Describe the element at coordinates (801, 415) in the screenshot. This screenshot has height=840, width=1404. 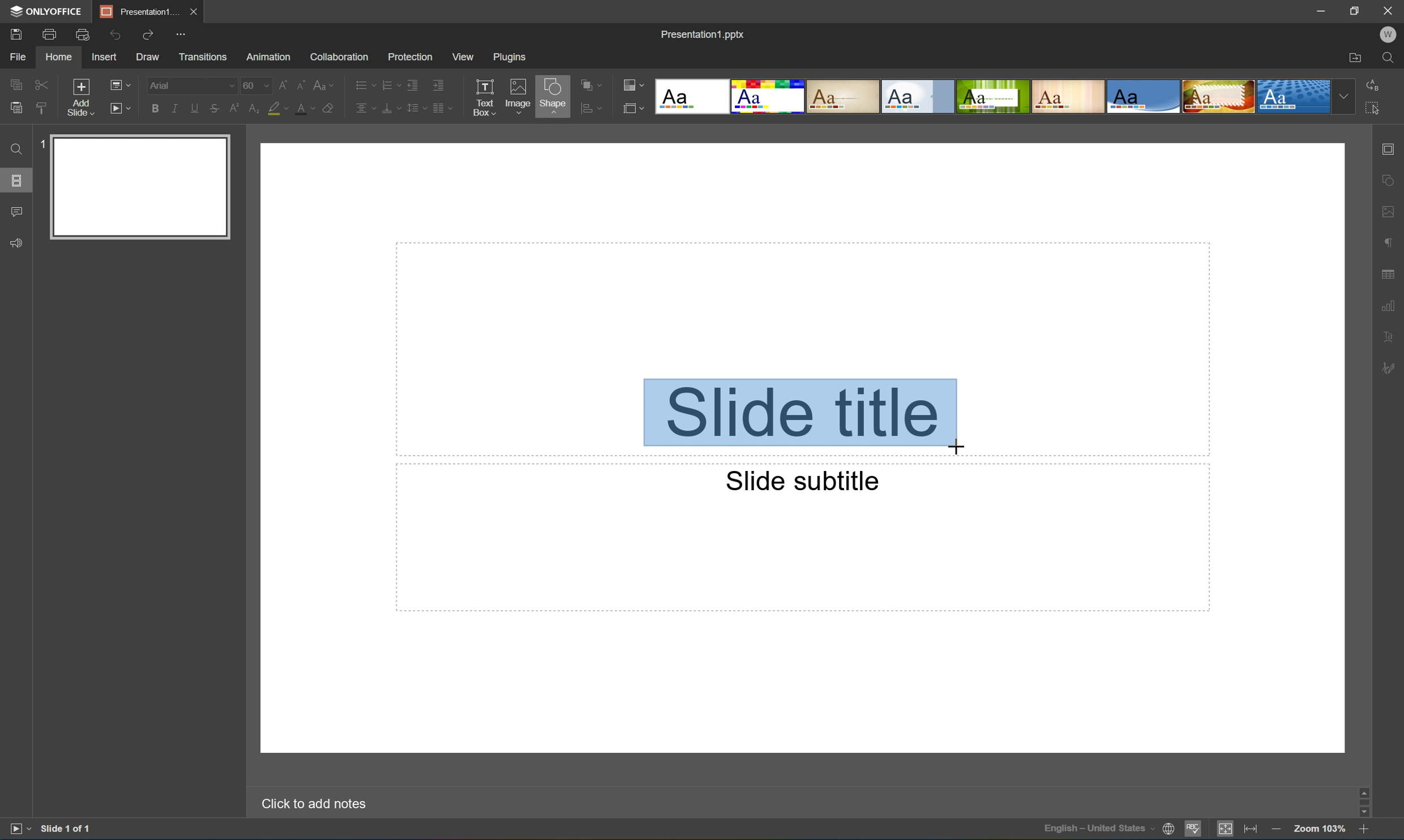
I see `slide title` at that location.